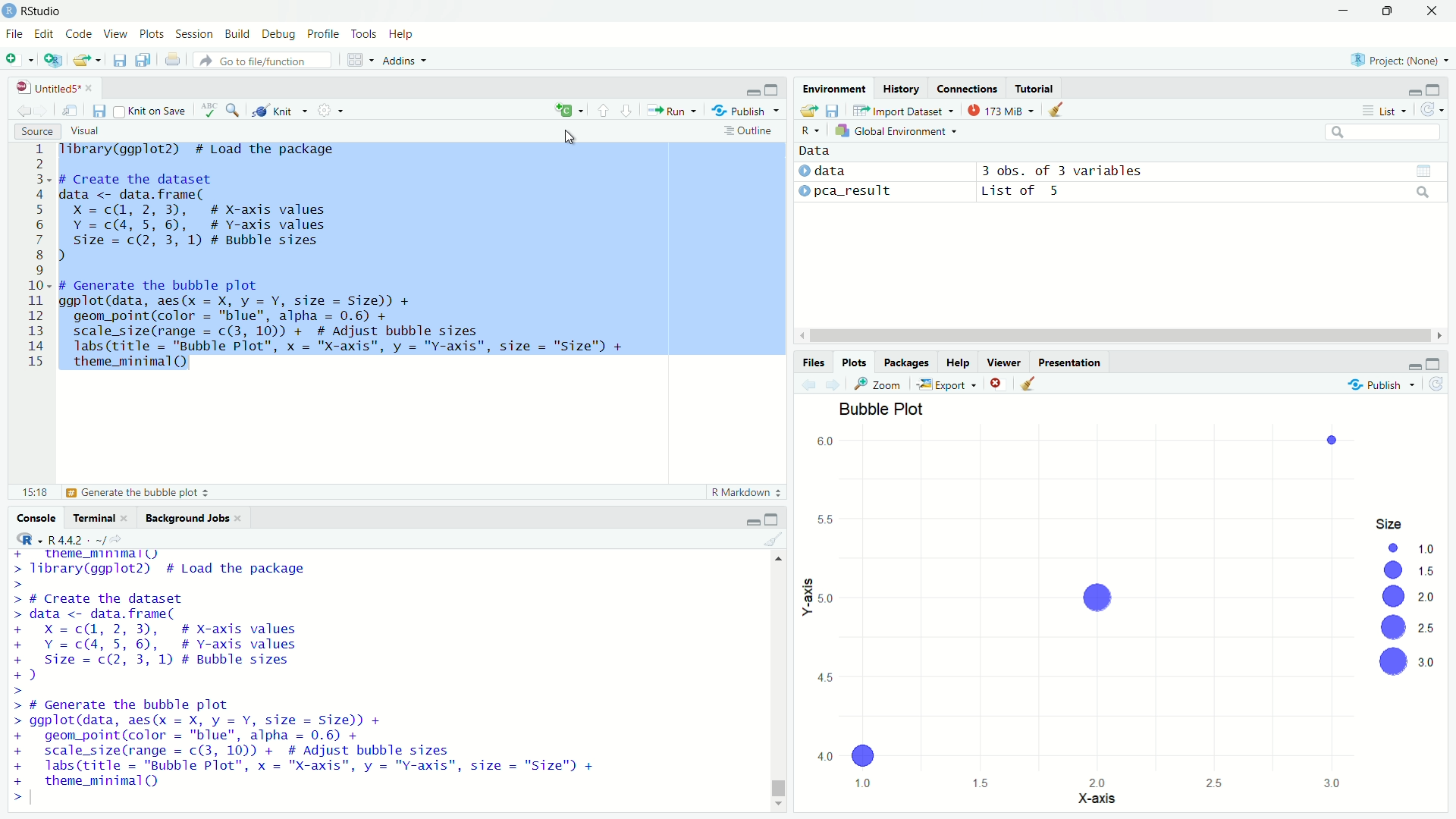 The width and height of the screenshot is (1456, 819). Describe the element at coordinates (121, 59) in the screenshot. I see `save current` at that location.